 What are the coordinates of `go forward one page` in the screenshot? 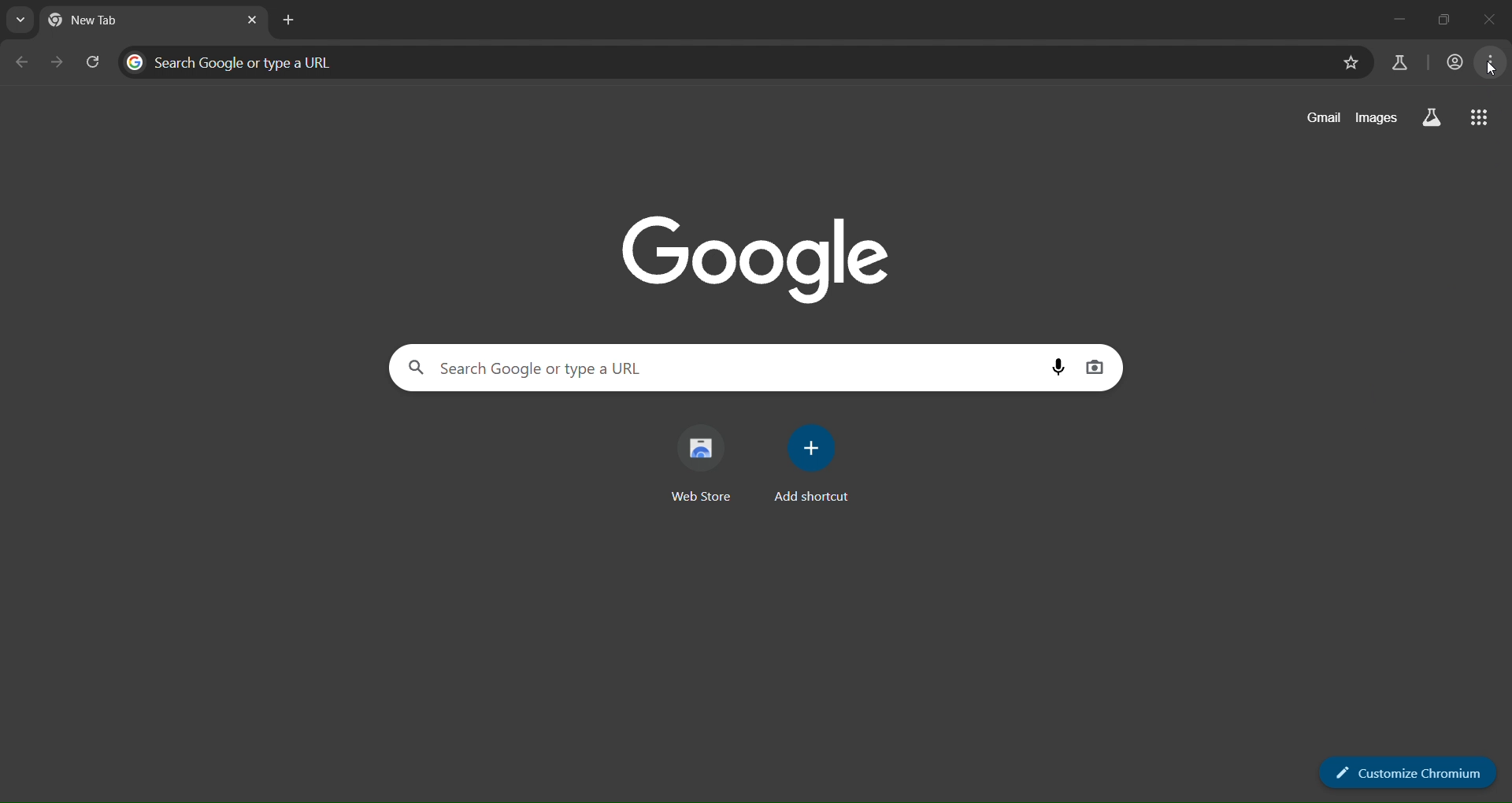 It's located at (57, 63).